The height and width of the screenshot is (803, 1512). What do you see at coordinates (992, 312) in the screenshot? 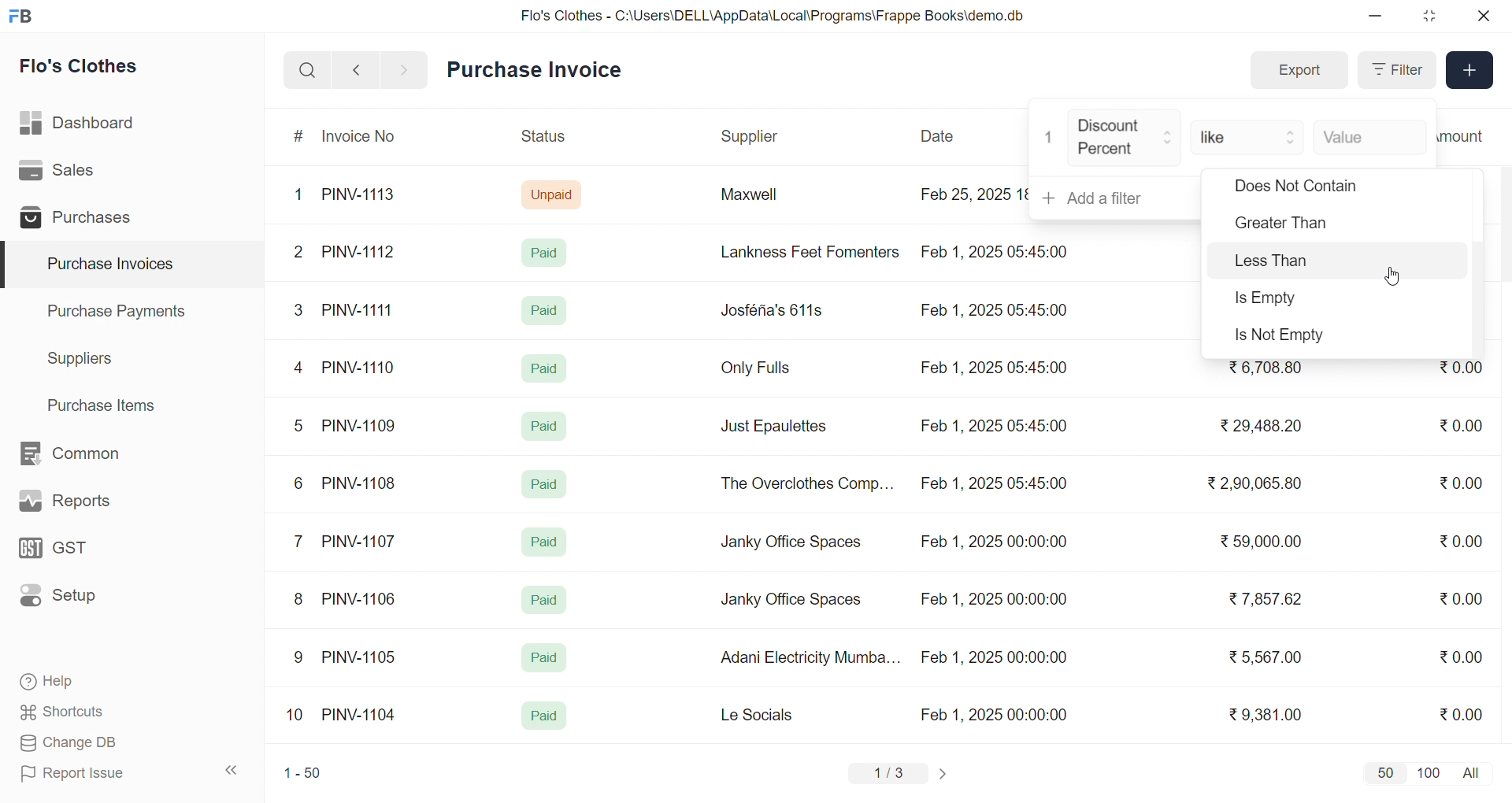
I see `Feb 1, 2025 05:45:00` at bounding box center [992, 312].